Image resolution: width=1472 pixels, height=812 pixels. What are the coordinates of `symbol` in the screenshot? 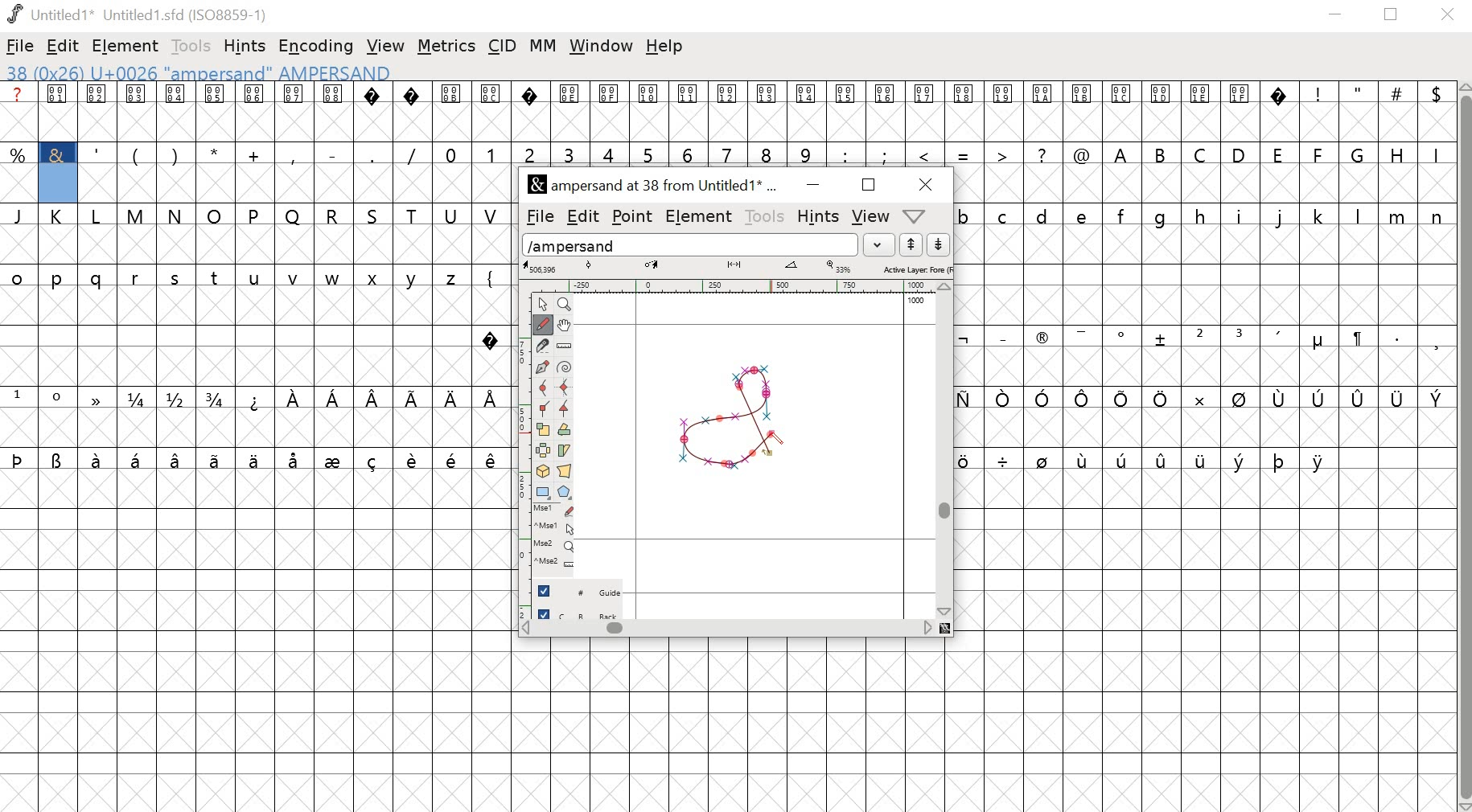 It's located at (374, 459).